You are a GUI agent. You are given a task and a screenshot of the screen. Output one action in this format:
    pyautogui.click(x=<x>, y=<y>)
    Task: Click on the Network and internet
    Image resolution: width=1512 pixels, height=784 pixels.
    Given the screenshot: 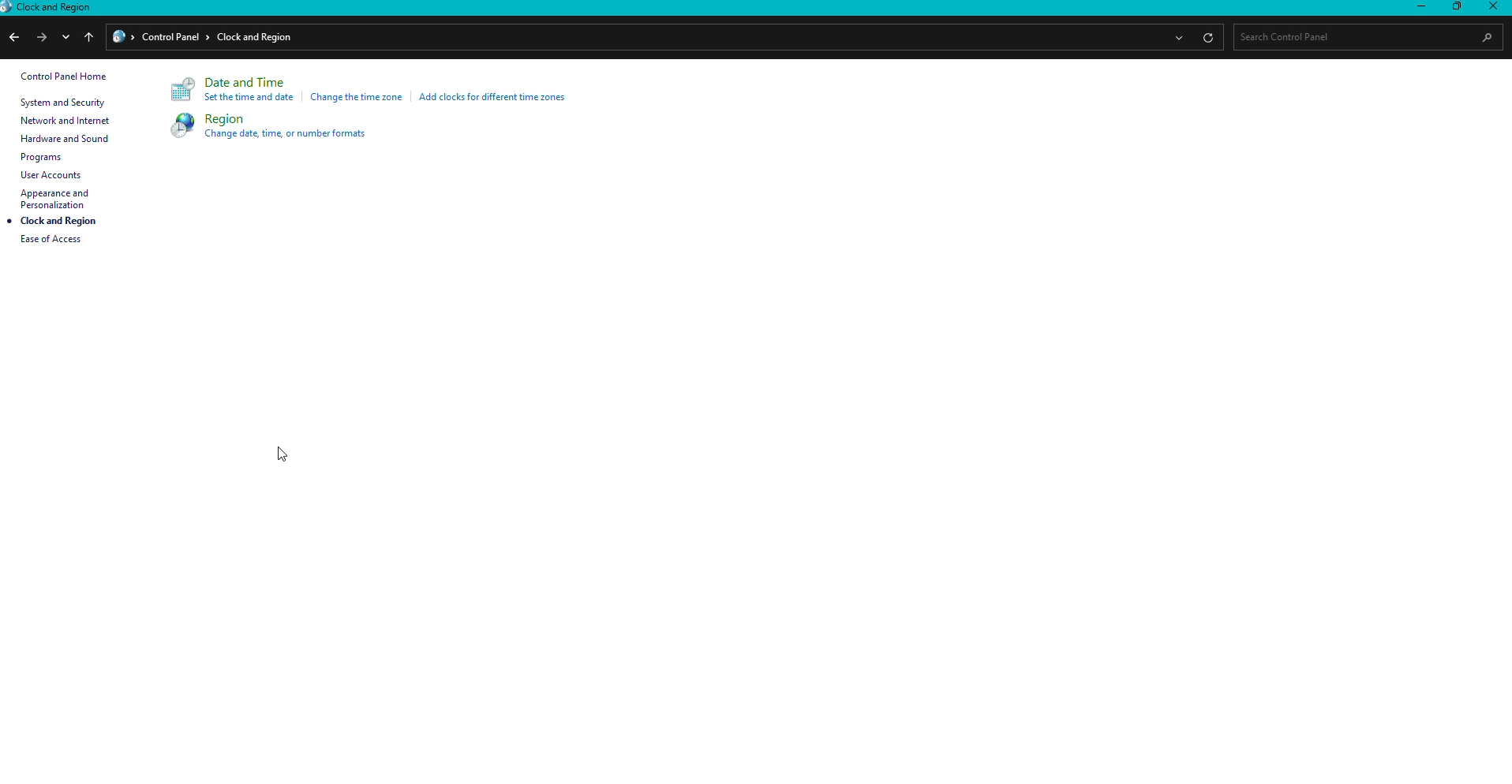 What is the action you would take?
    pyautogui.click(x=65, y=123)
    